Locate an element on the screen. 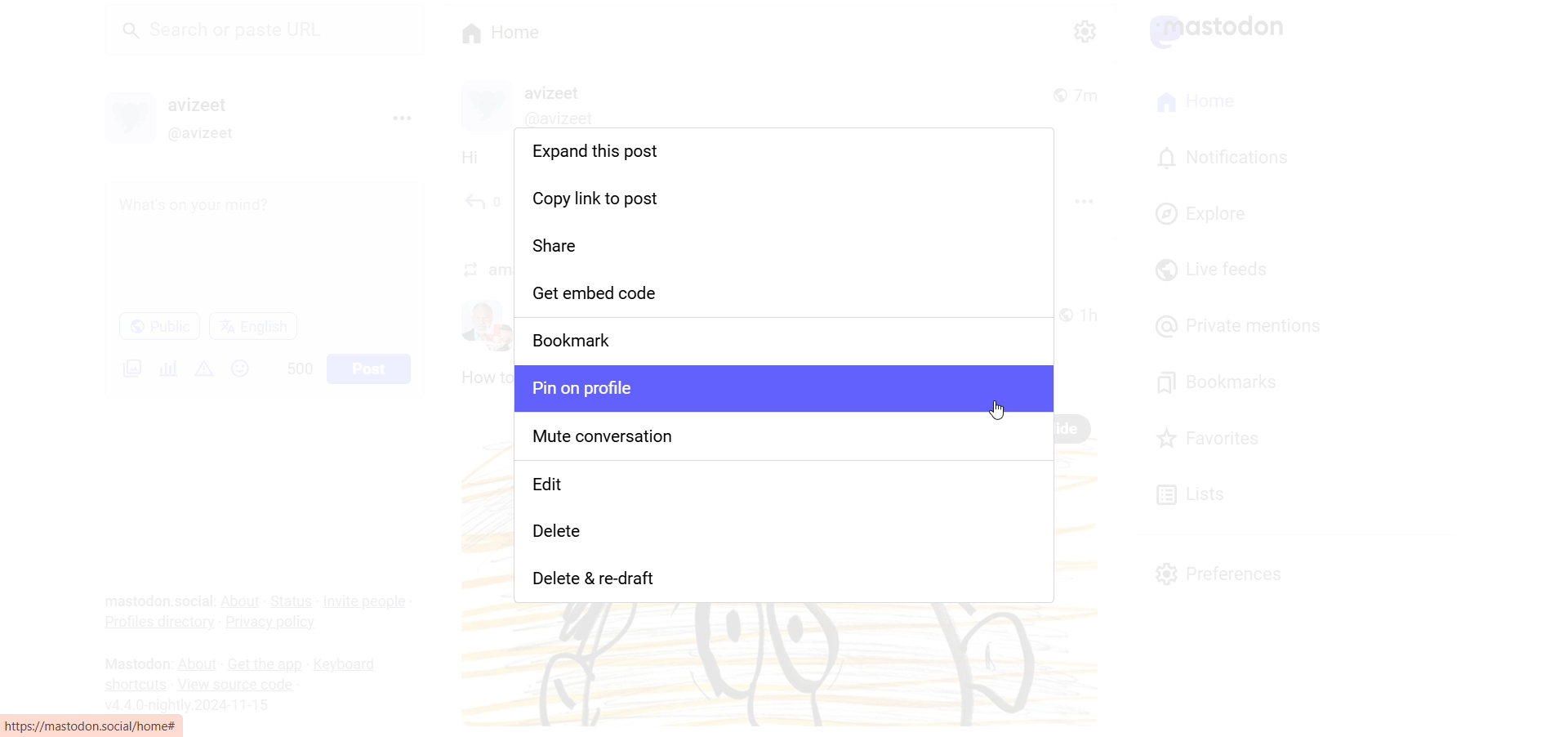 The image size is (1568, 737). Notification is located at coordinates (1221, 159).